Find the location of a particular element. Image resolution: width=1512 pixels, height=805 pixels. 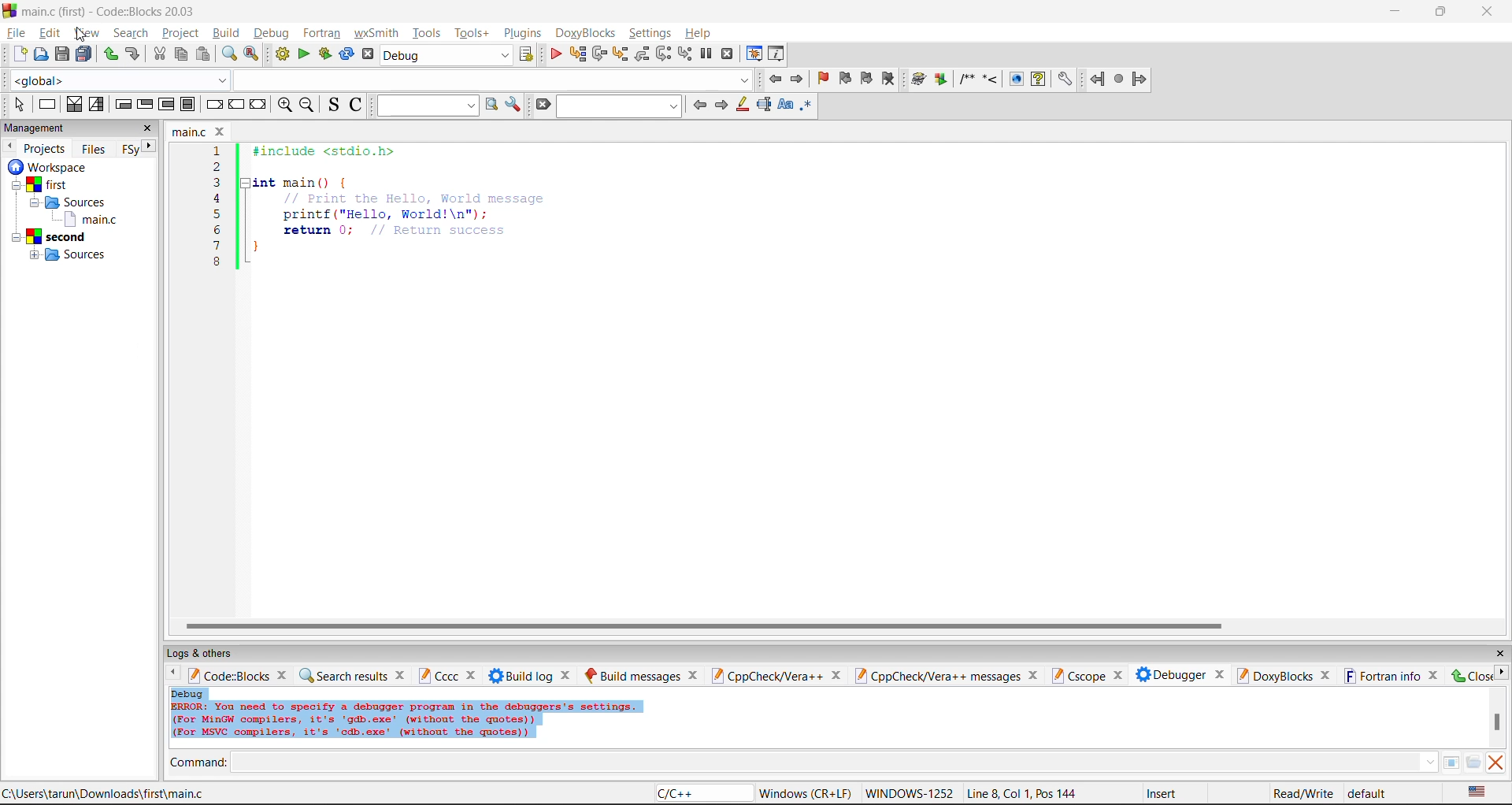

redo is located at coordinates (132, 55).